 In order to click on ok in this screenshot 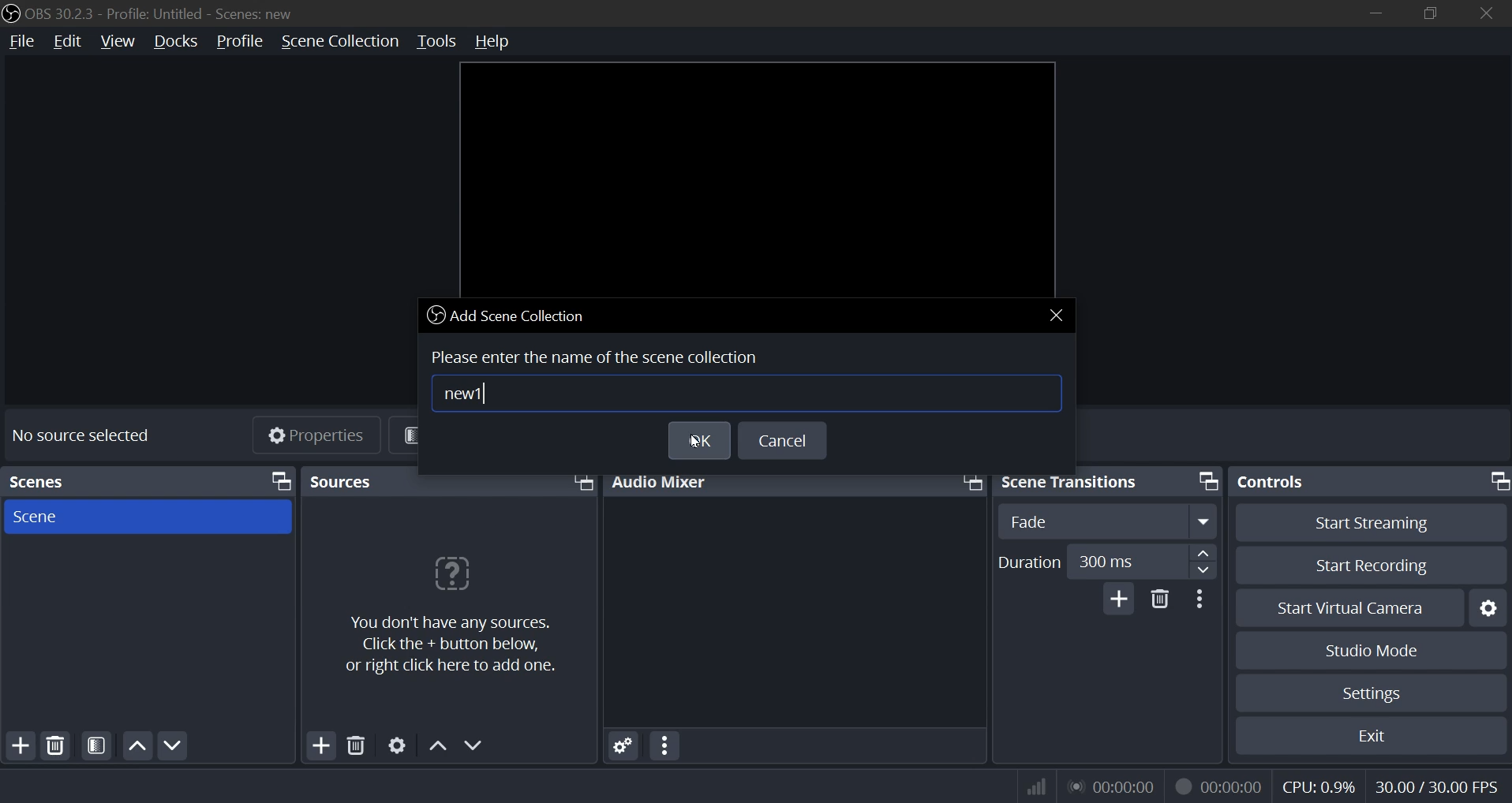, I will do `click(698, 441)`.